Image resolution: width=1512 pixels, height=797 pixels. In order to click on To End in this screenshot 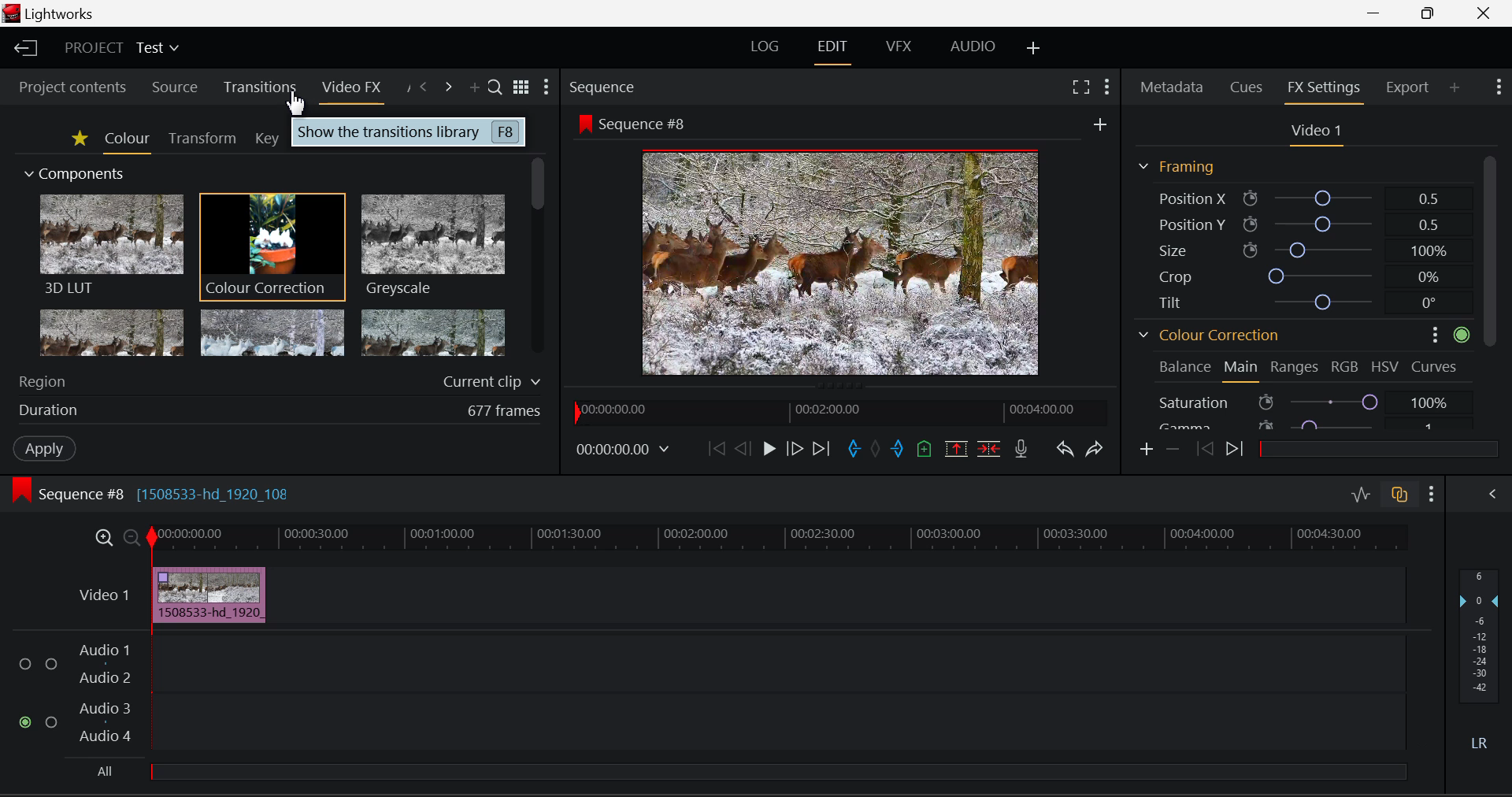, I will do `click(821, 450)`.